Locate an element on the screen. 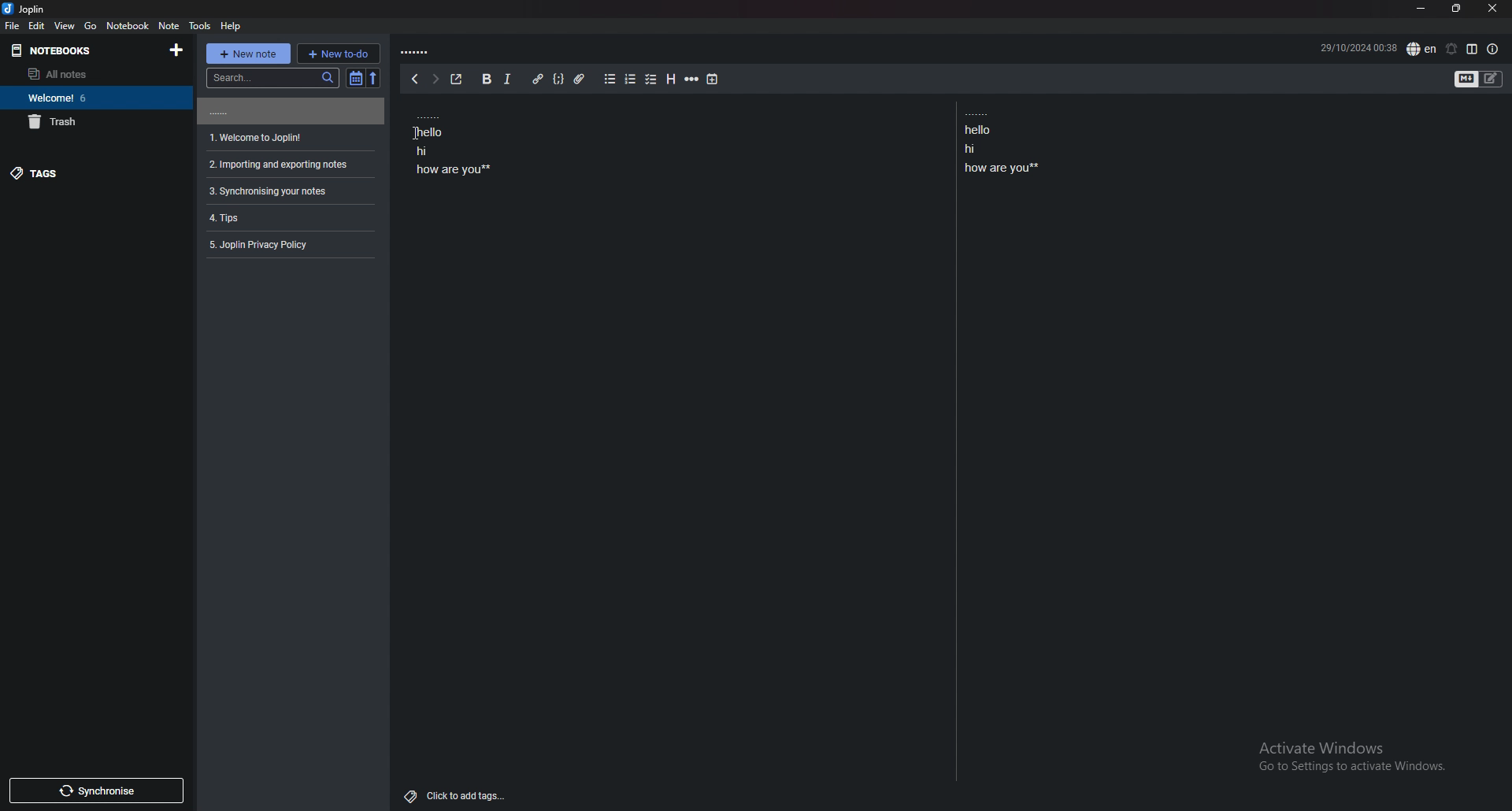  file is located at coordinates (13, 26).